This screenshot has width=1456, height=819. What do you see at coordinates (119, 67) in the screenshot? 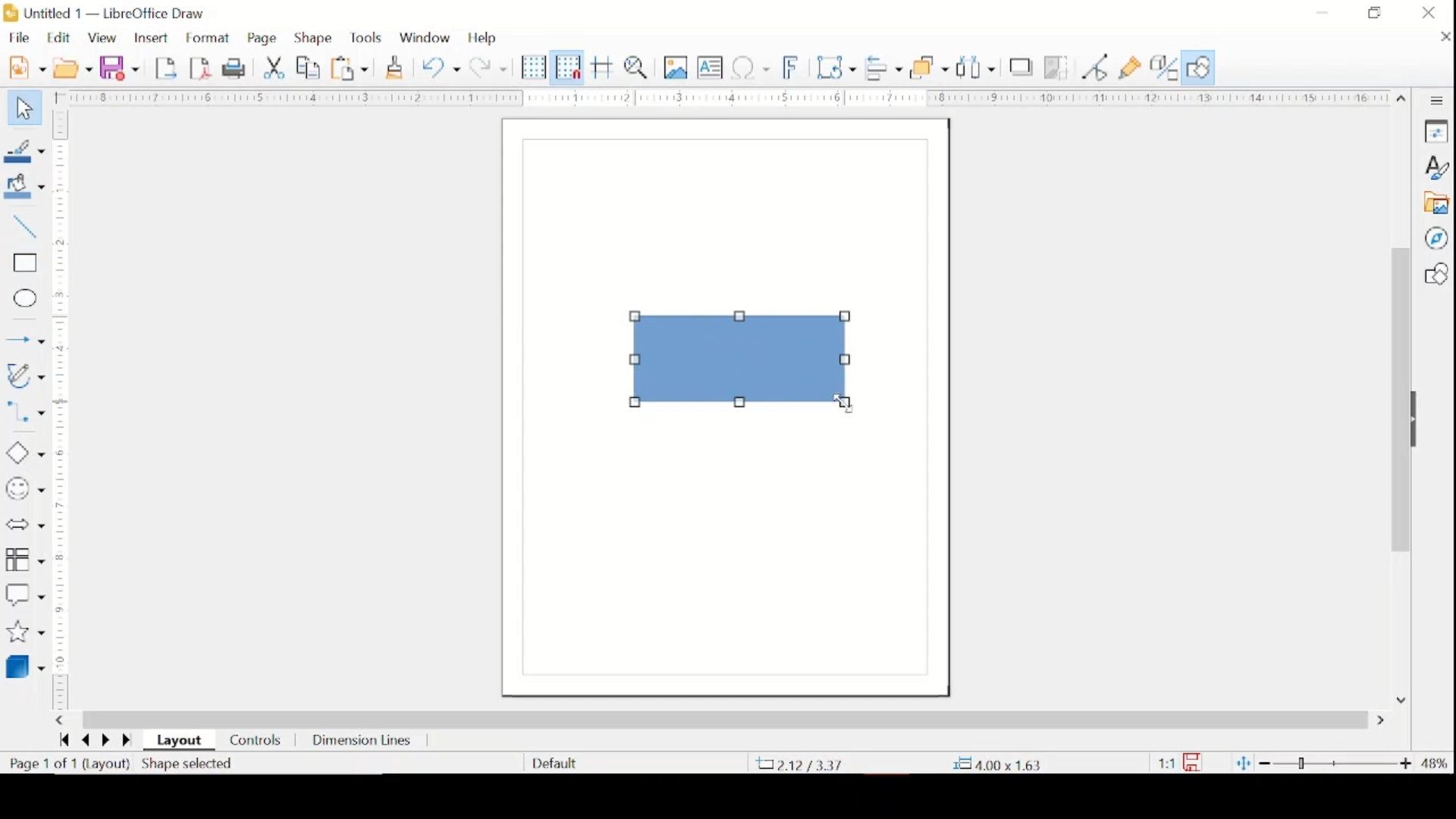
I see `save` at bounding box center [119, 67].